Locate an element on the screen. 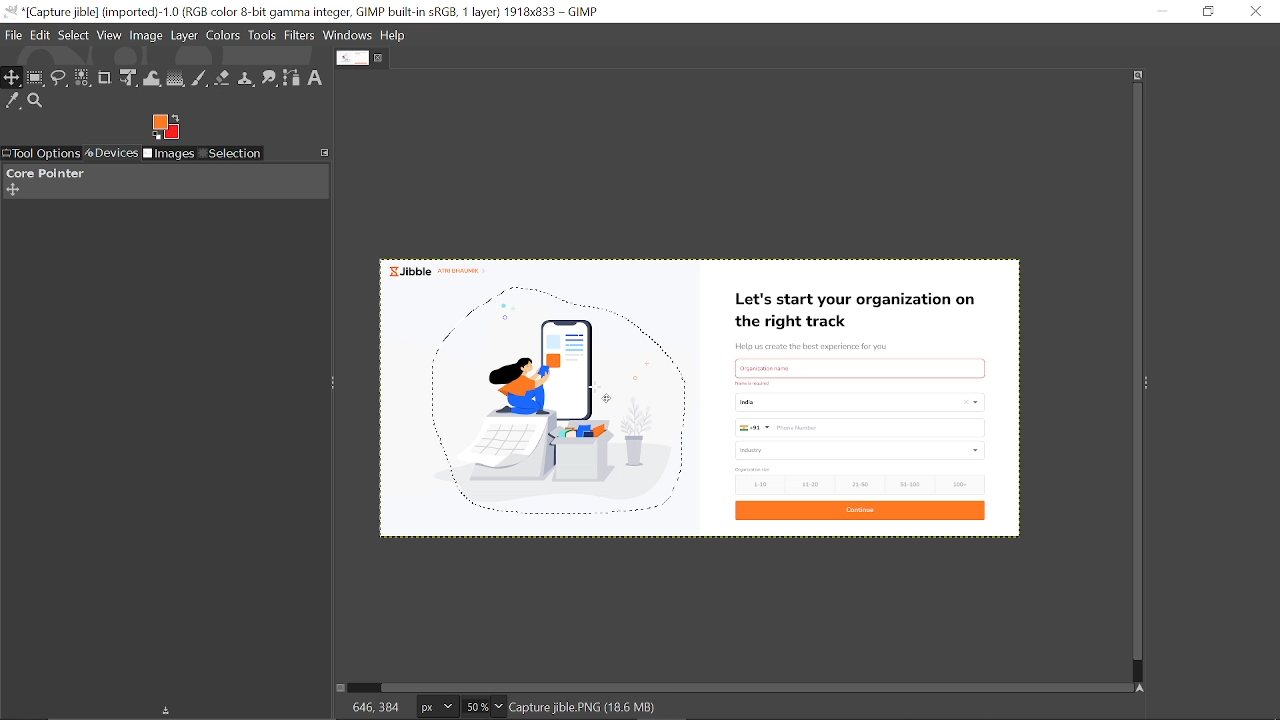 This screenshot has width=1280, height=720. File is located at coordinates (13, 36).